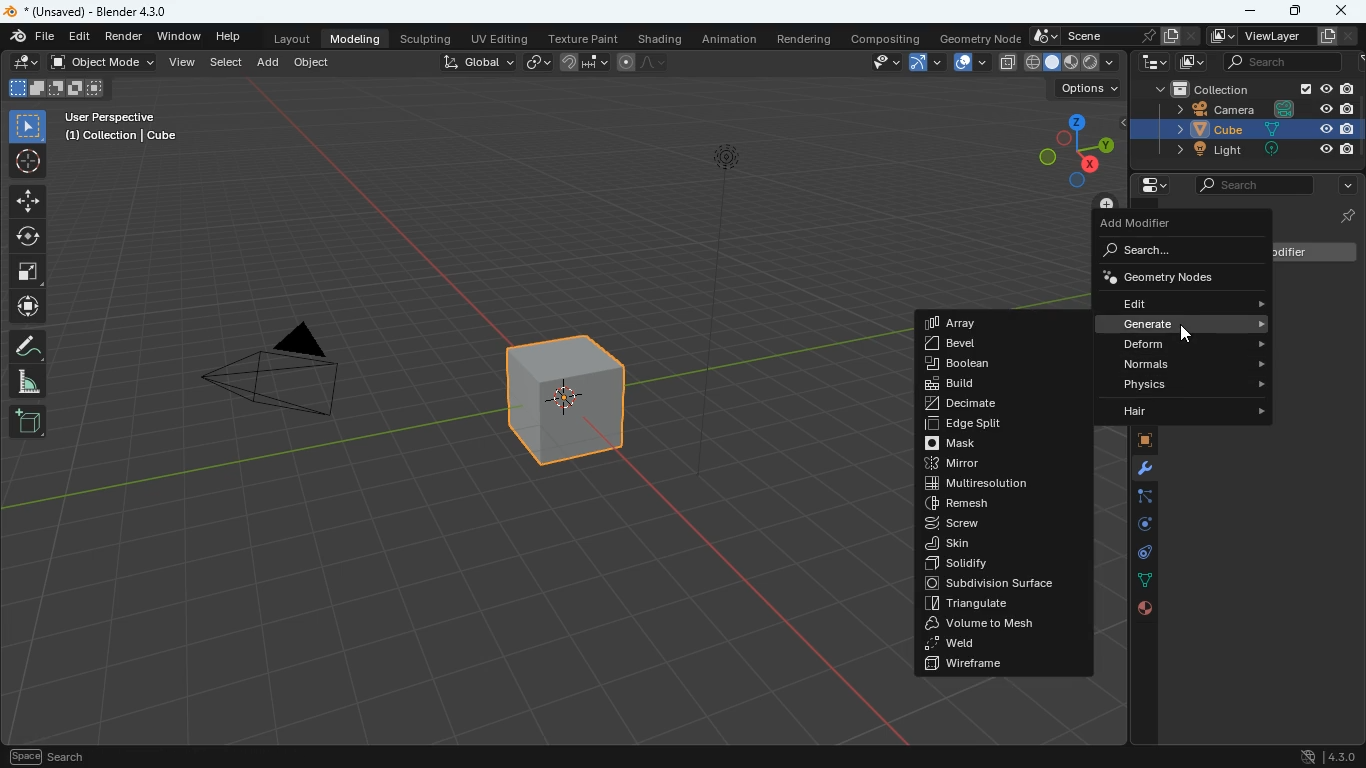 The image size is (1366, 768). I want to click on add, so click(27, 422).